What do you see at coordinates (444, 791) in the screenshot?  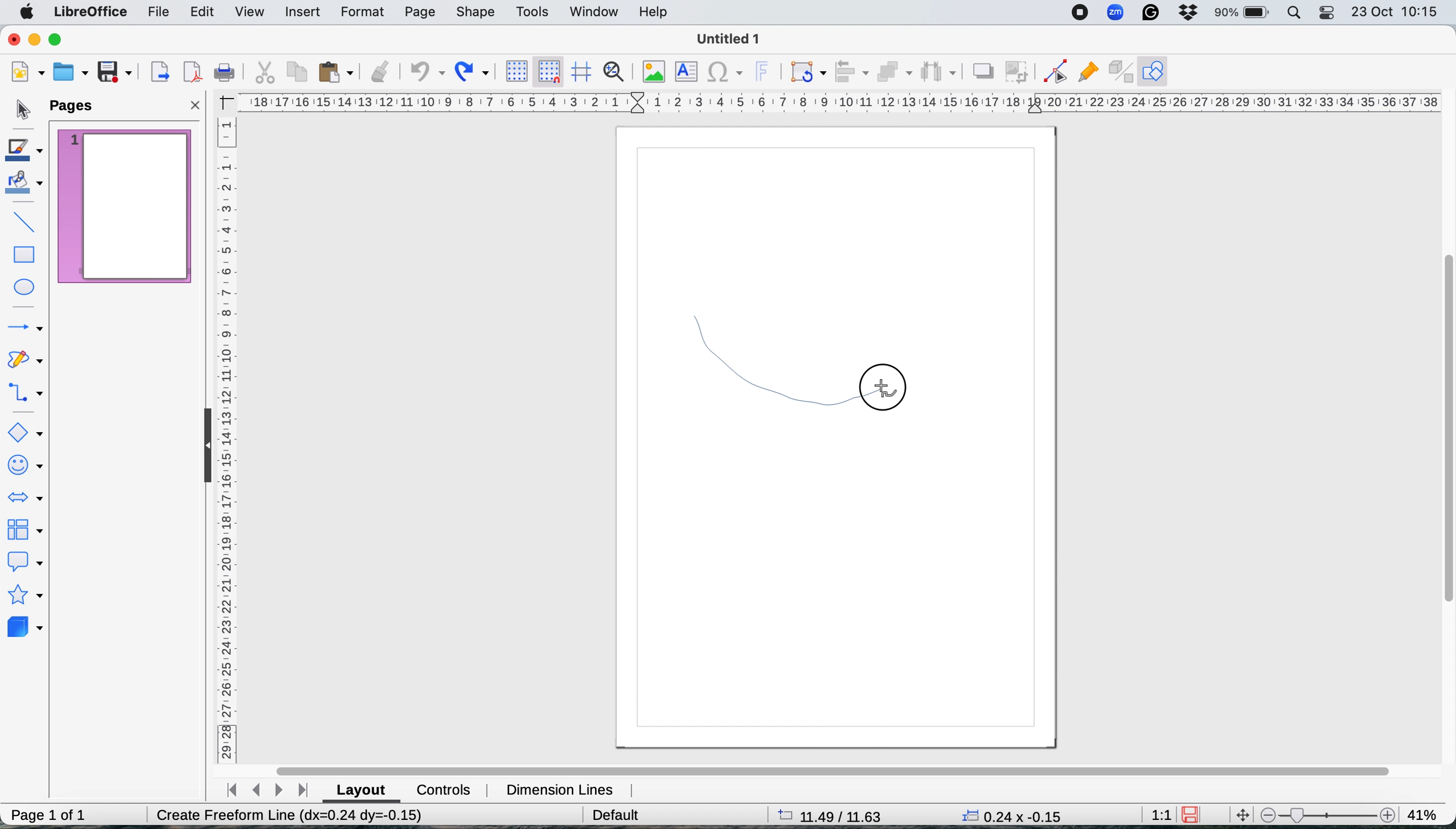 I see `controls` at bounding box center [444, 791].